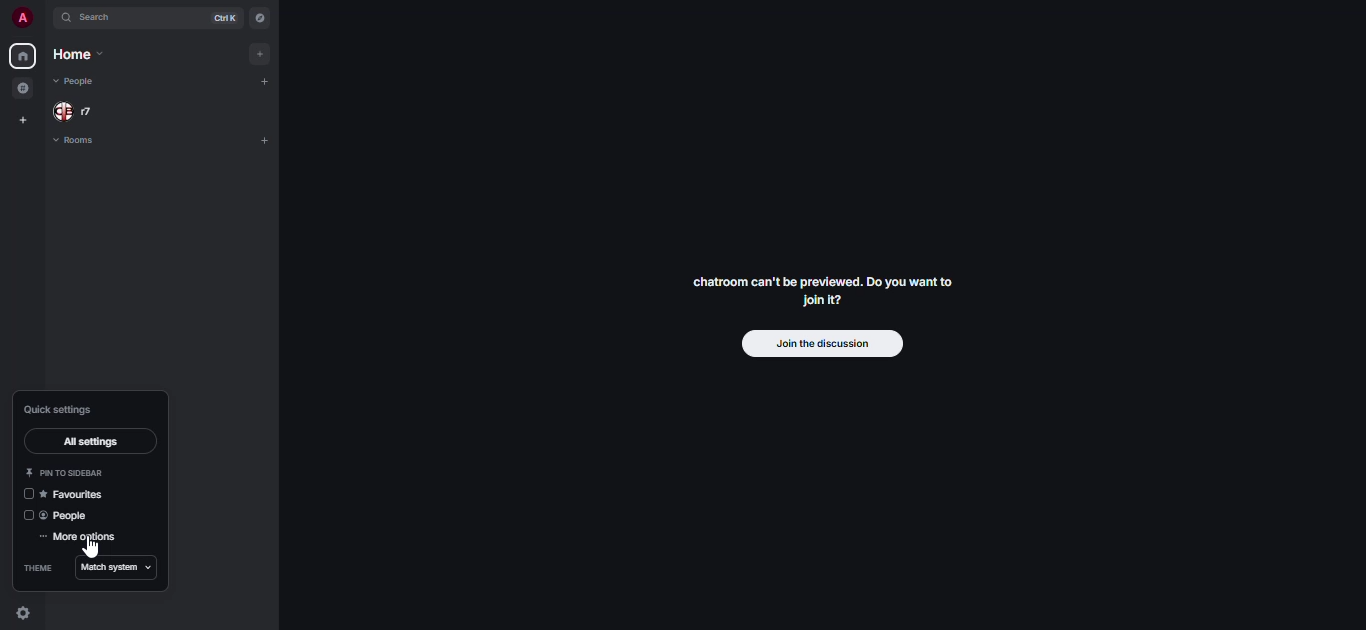 The height and width of the screenshot is (630, 1366). Describe the element at coordinates (827, 292) in the screenshot. I see `chatroom can't be previewed. Join it?` at that location.